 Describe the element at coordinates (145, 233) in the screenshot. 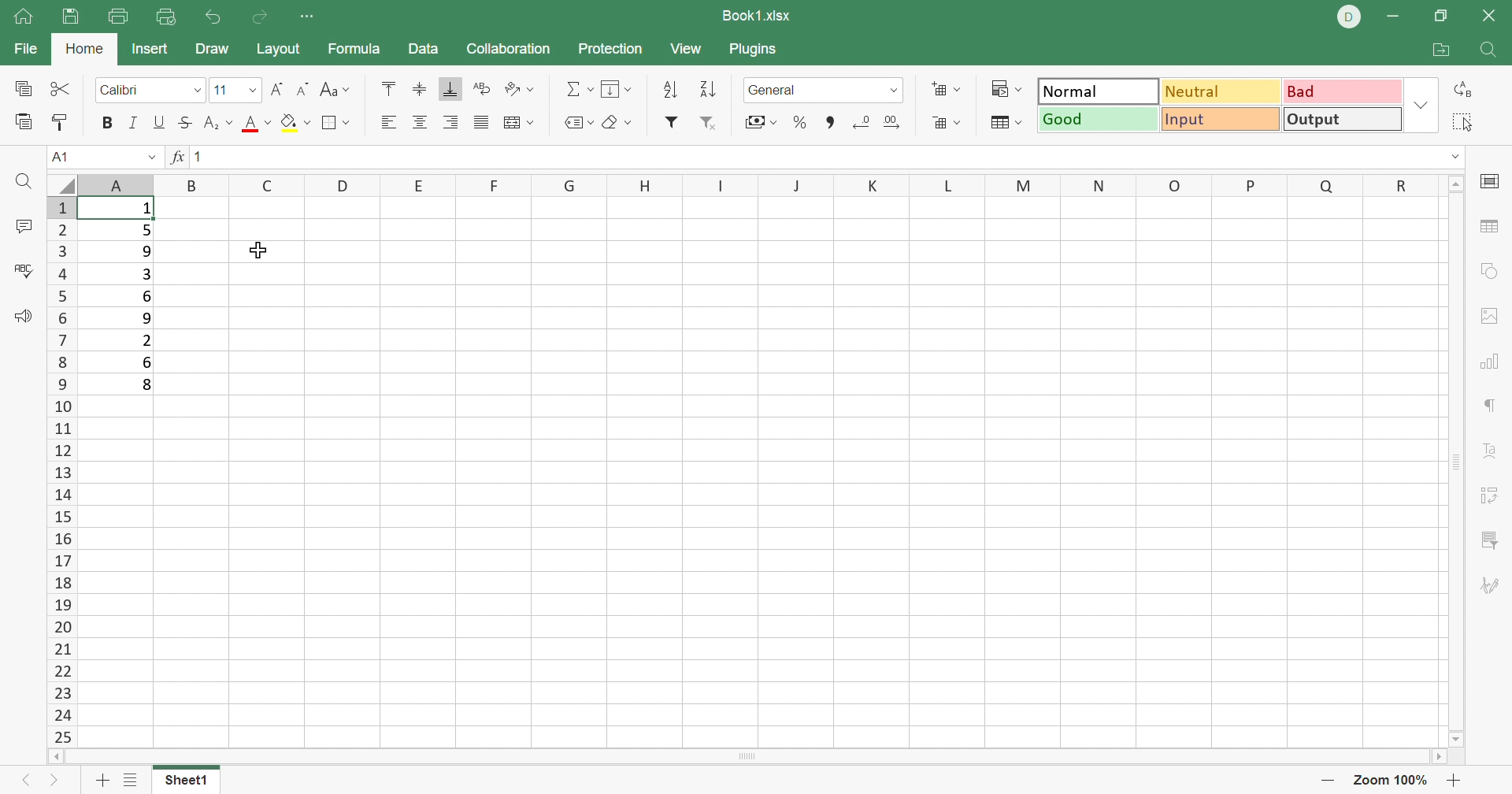

I see `5` at that location.